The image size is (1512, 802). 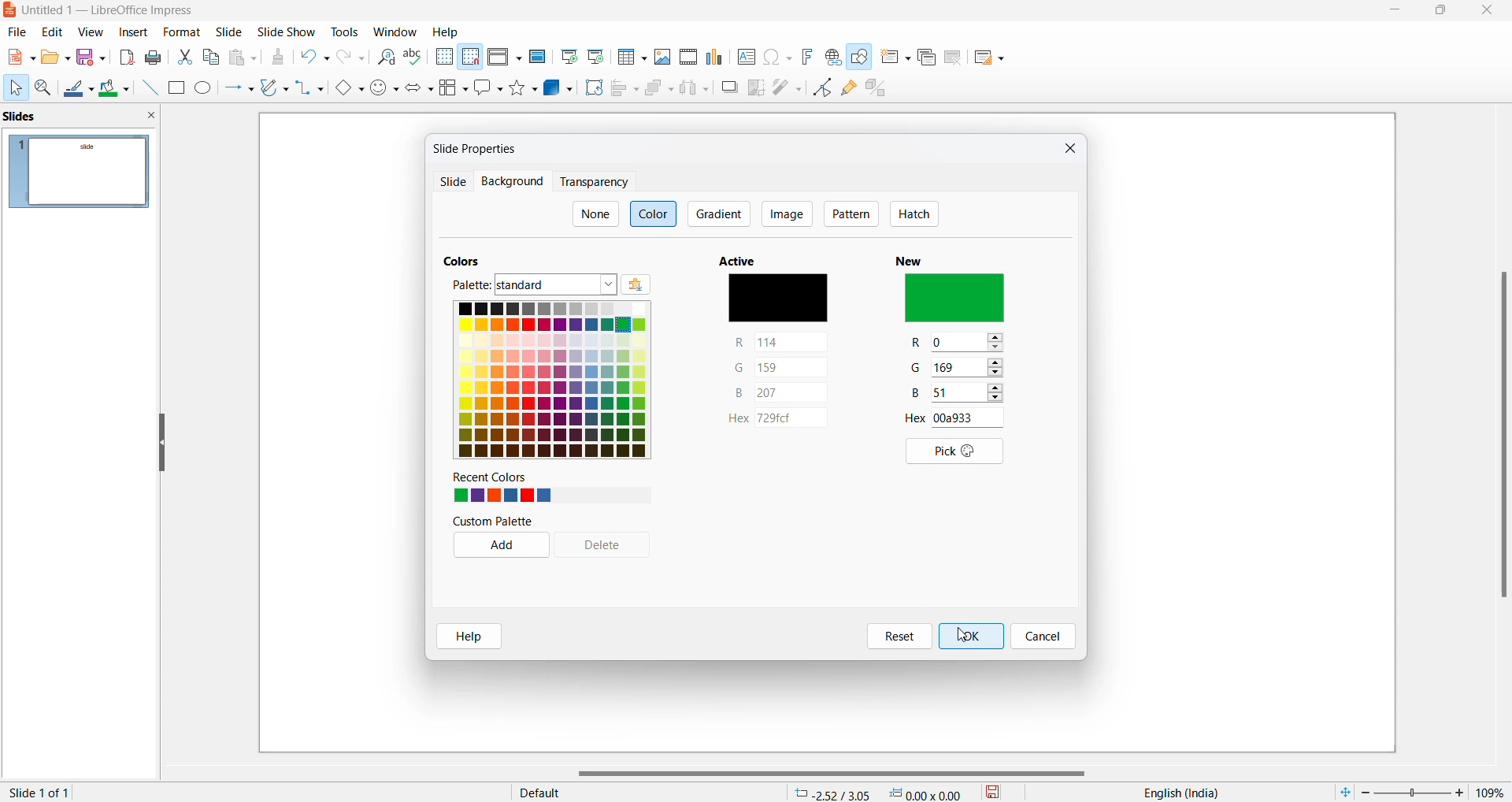 What do you see at coordinates (786, 213) in the screenshot?
I see `navigation` at bounding box center [786, 213].